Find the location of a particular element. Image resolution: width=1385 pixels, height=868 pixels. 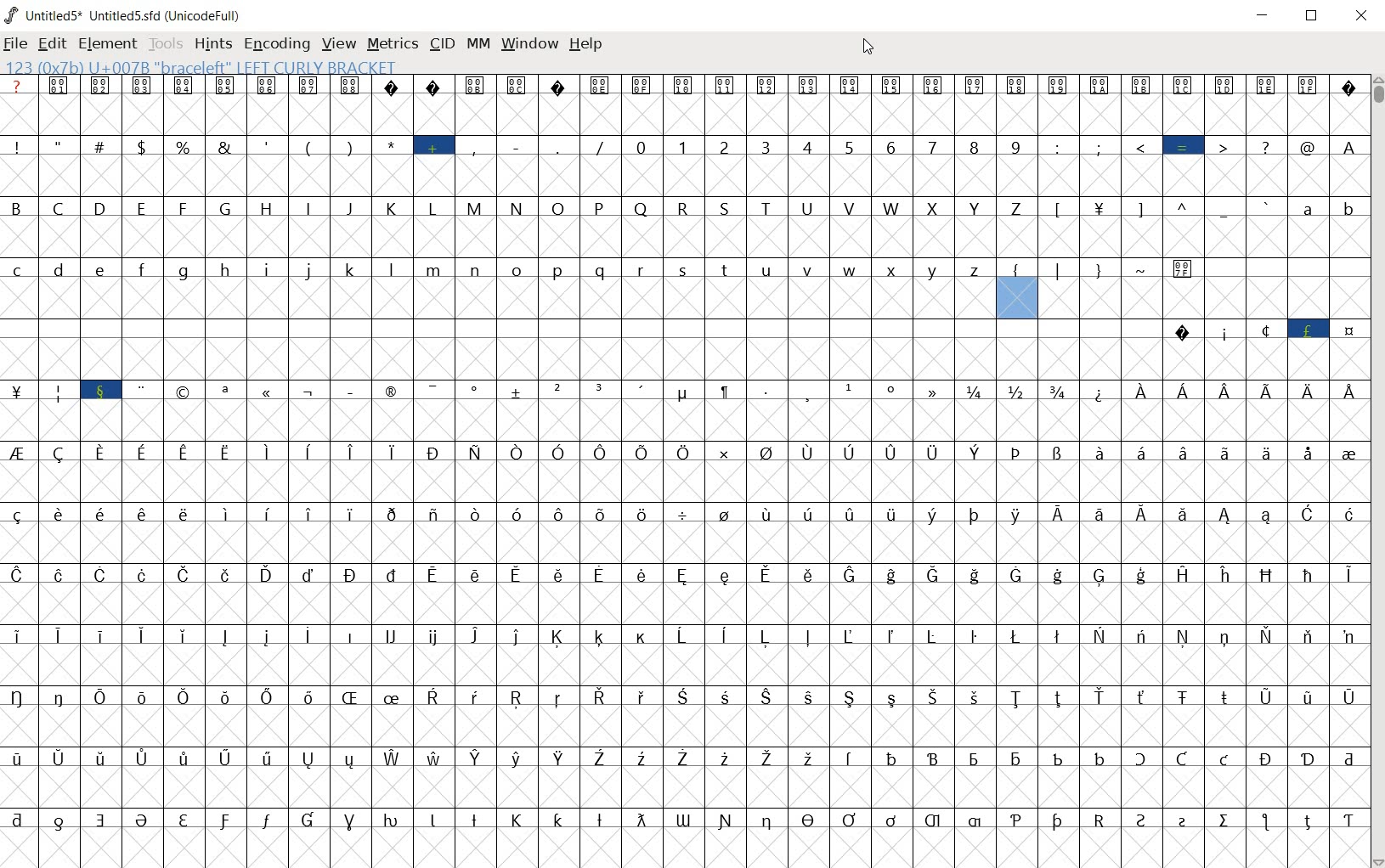

close is located at coordinates (1363, 13).